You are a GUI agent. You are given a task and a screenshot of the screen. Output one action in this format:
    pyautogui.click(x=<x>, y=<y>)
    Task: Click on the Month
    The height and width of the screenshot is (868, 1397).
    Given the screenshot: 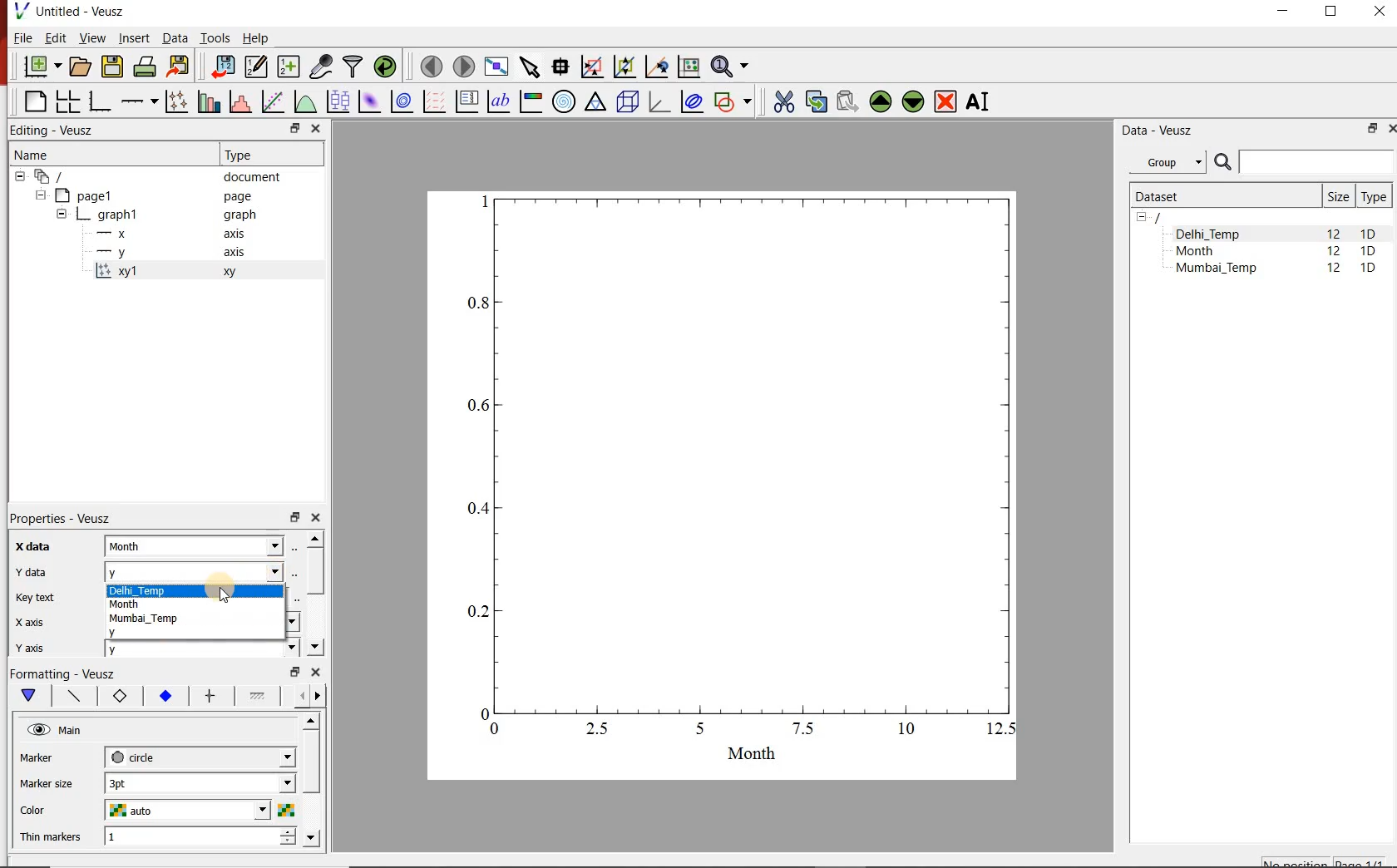 What is the action you would take?
    pyautogui.click(x=1207, y=251)
    